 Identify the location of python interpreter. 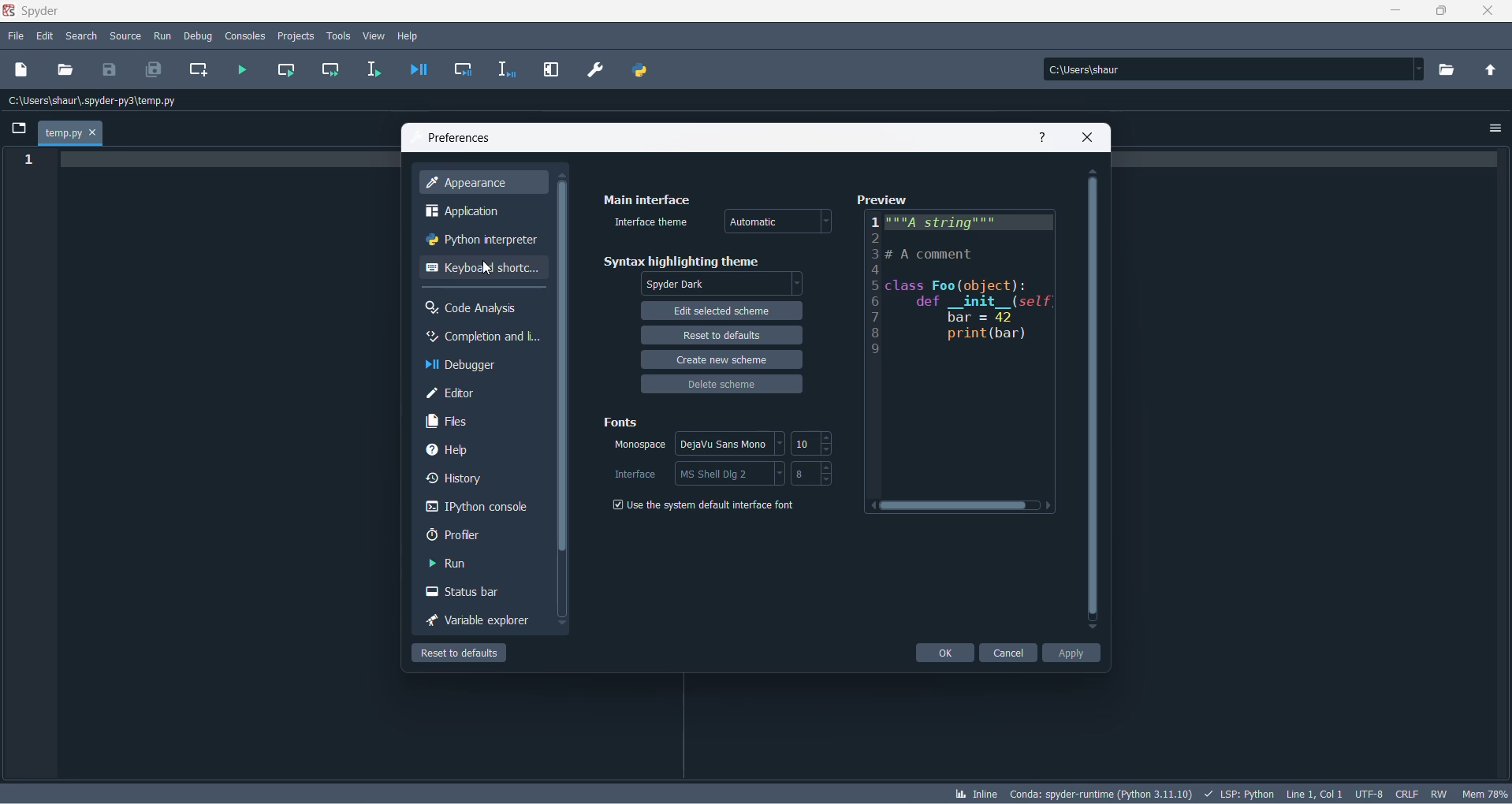
(481, 242).